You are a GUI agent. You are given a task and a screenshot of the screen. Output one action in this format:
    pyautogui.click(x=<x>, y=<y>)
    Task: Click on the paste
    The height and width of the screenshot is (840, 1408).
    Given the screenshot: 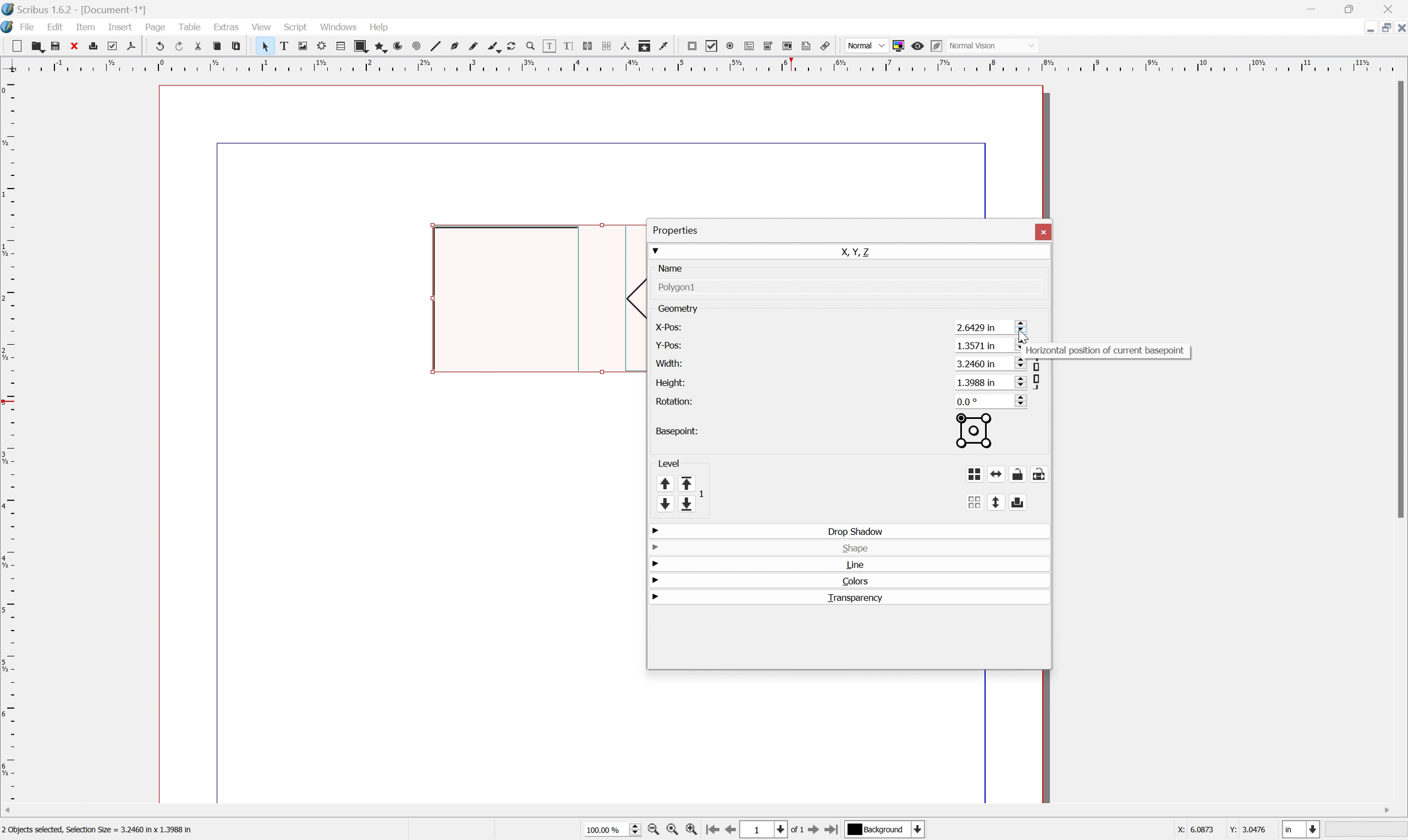 What is the action you would take?
    pyautogui.click(x=235, y=46)
    